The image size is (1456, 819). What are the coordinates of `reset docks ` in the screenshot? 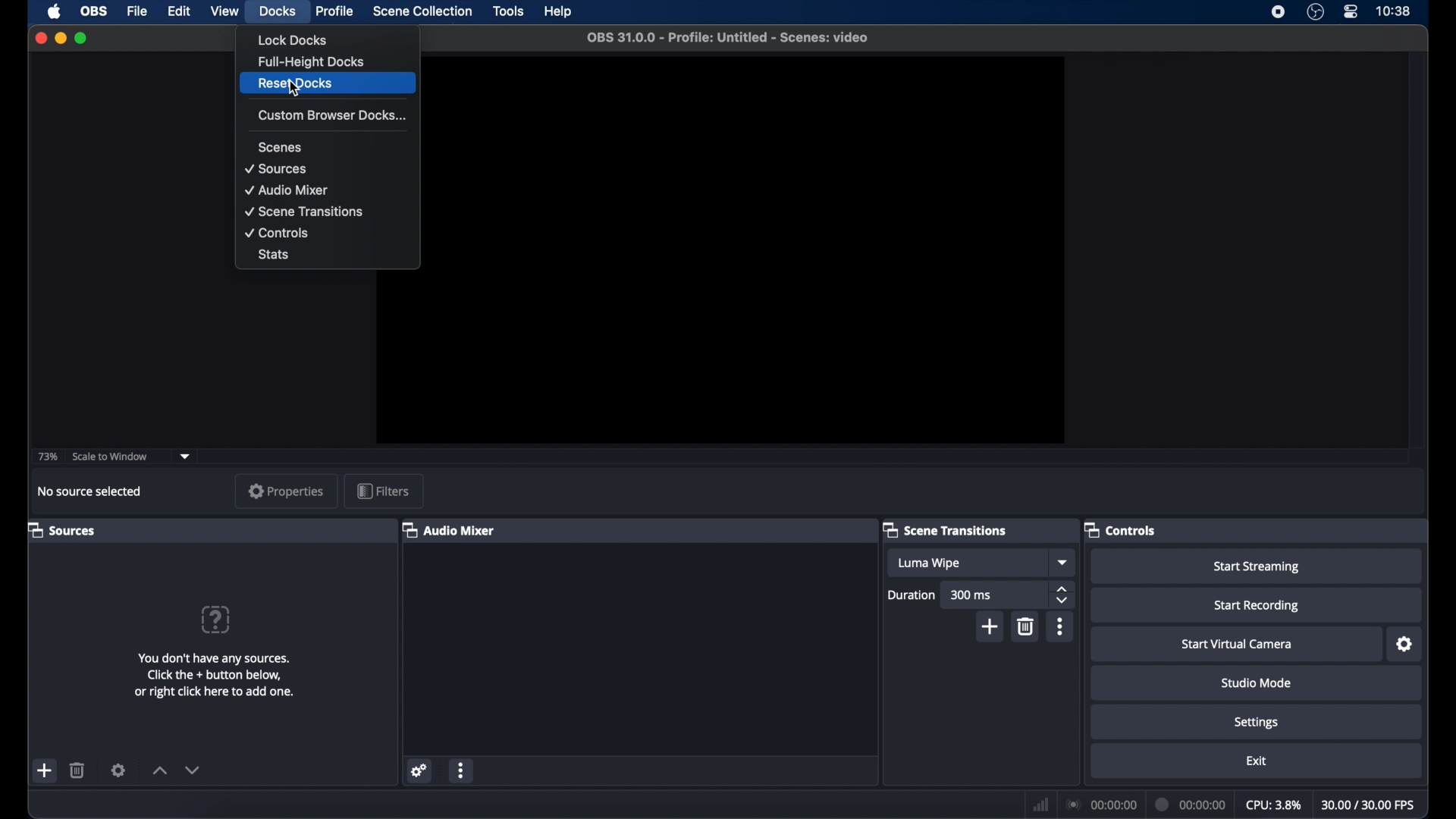 It's located at (297, 84).